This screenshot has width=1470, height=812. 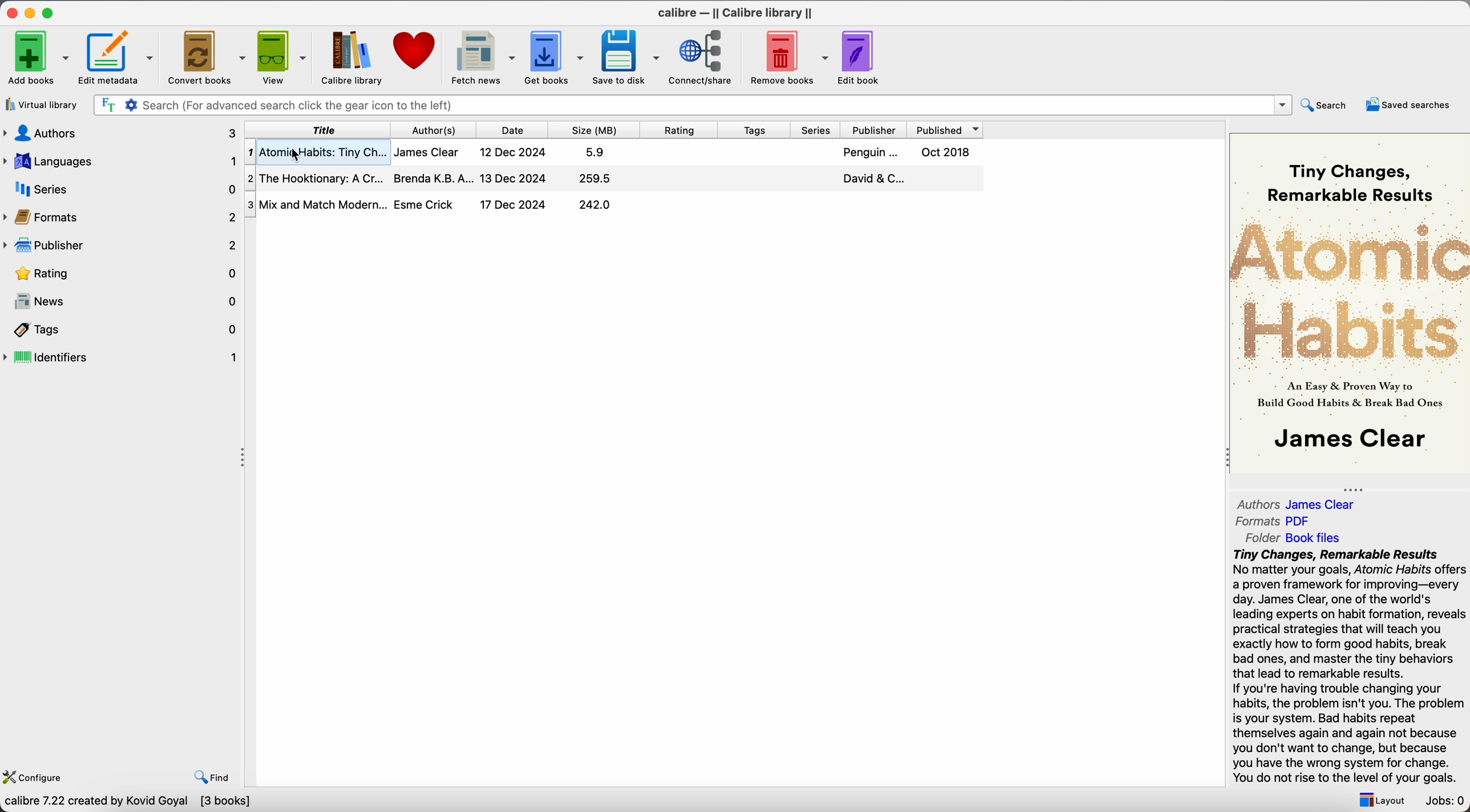 What do you see at coordinates (125, 274) in the screenshot?
I see `rating` at bounding box center [125, 274].